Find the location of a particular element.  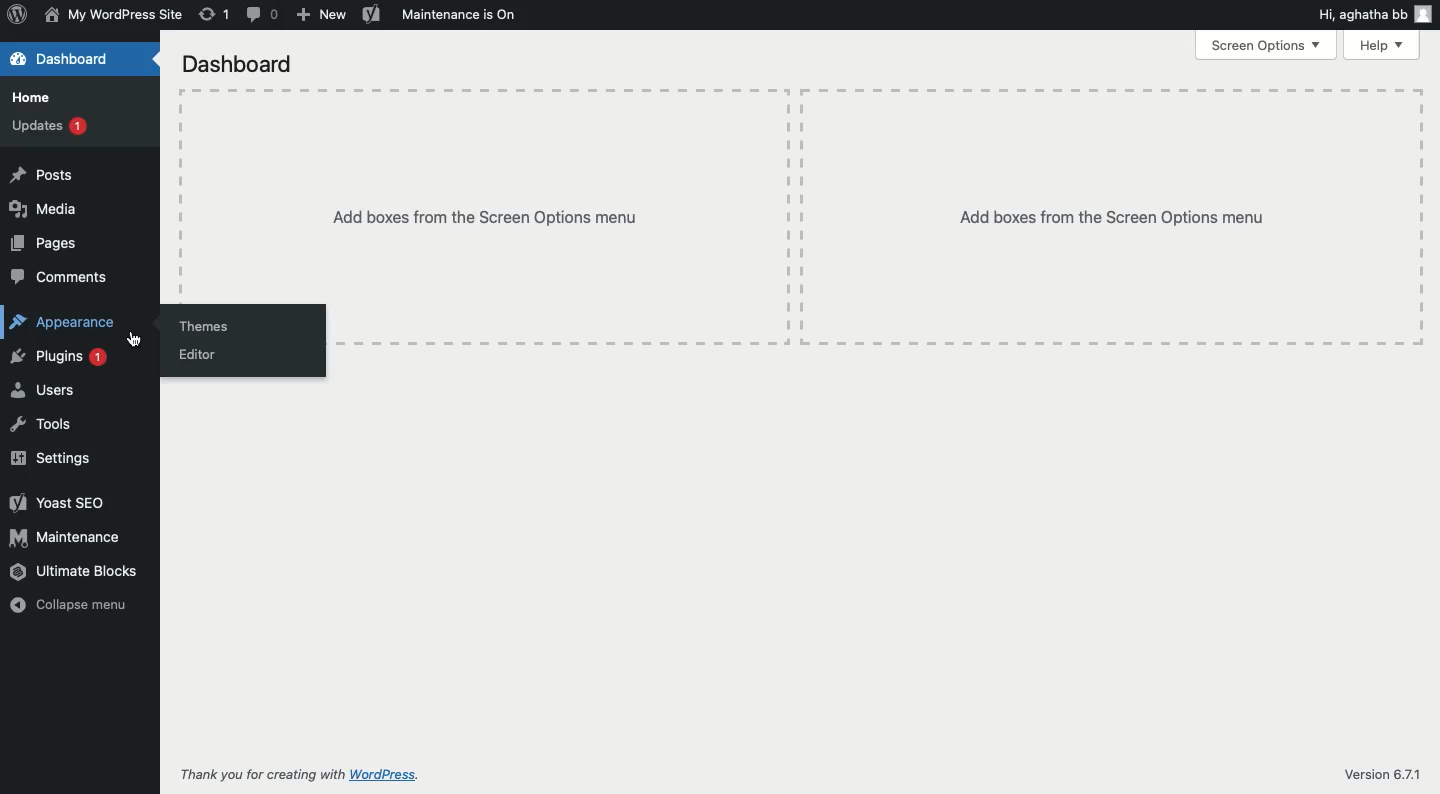

Add boxes from the screen options menu is located at coordinates (803, 194).